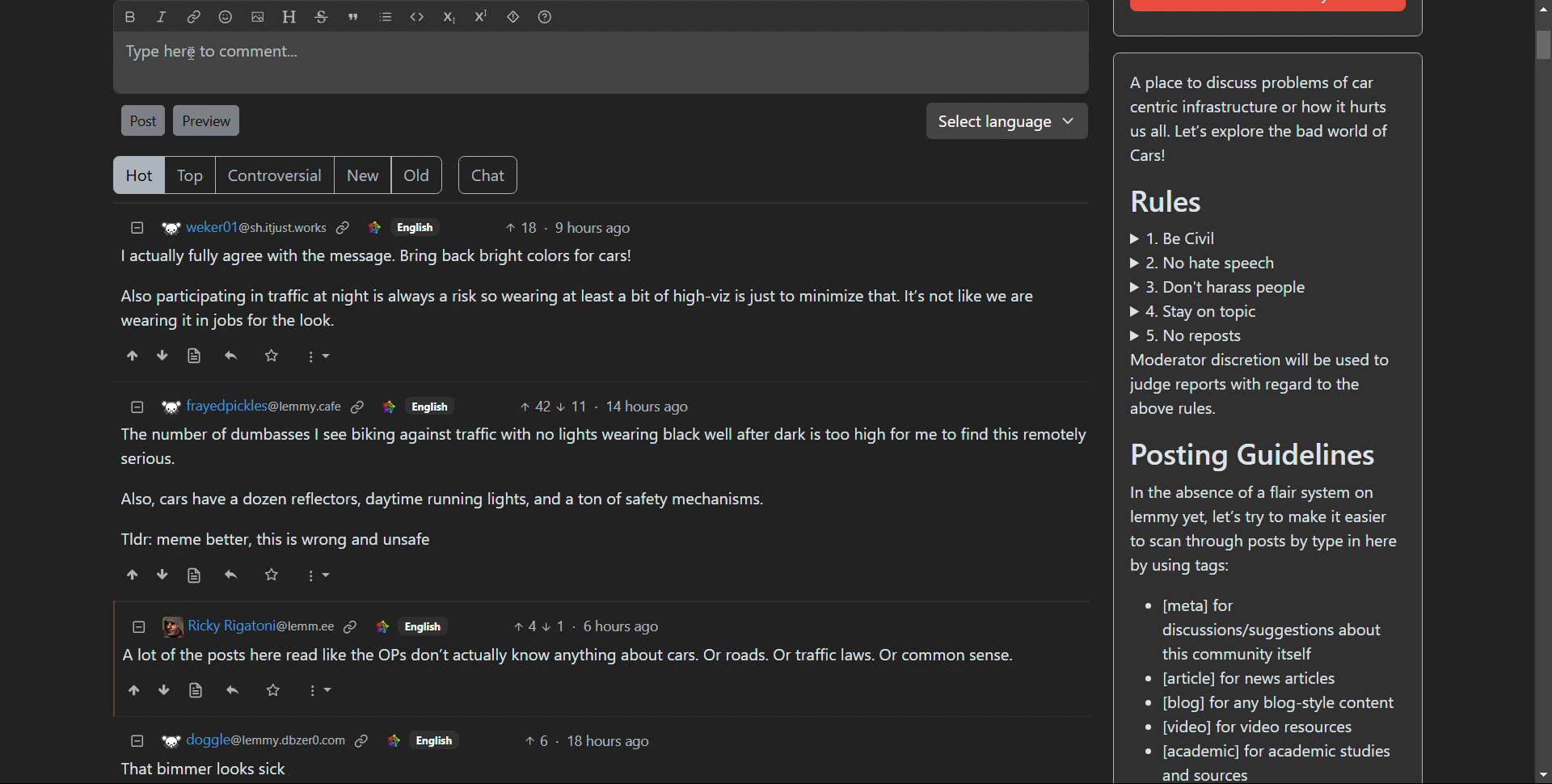 Image resolution: width=1552 pixels, height=784 pixels. Describe the element at coordinates (416, 17) in the screenshot. I see `code` at that location.